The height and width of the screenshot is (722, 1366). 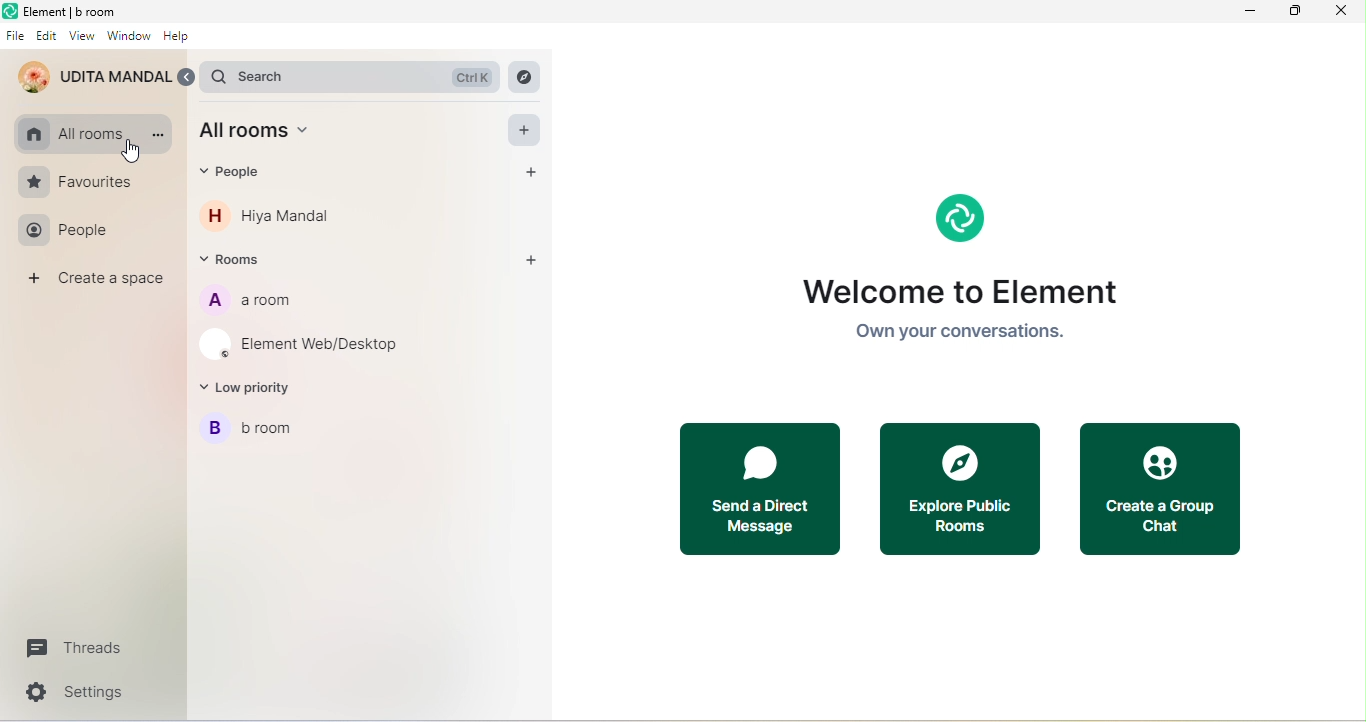 I want to click on welcome to element, so click(x=962, y=292).